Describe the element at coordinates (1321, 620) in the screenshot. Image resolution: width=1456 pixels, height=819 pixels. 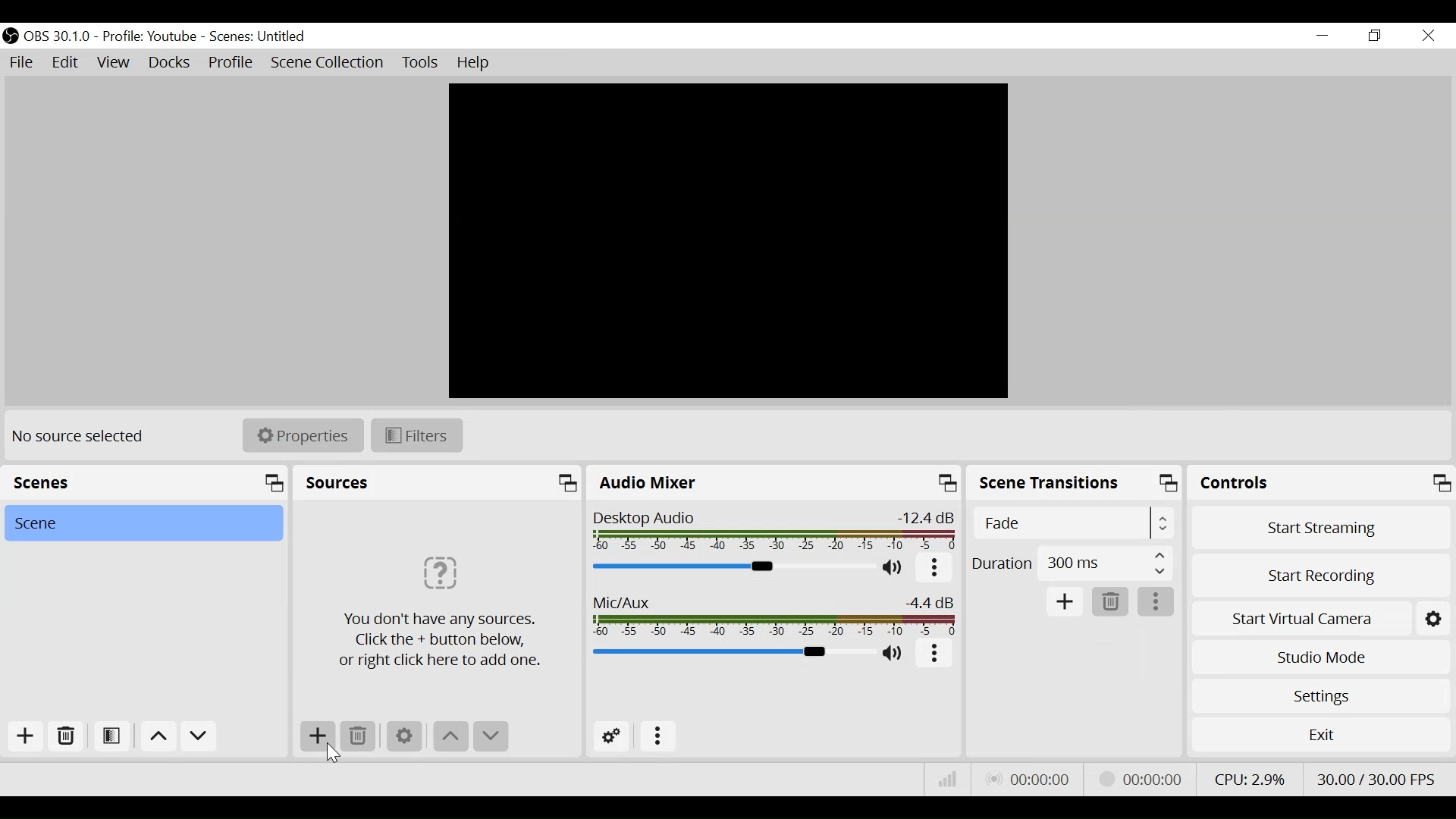
I see `Start Virtual Camera` at that location.